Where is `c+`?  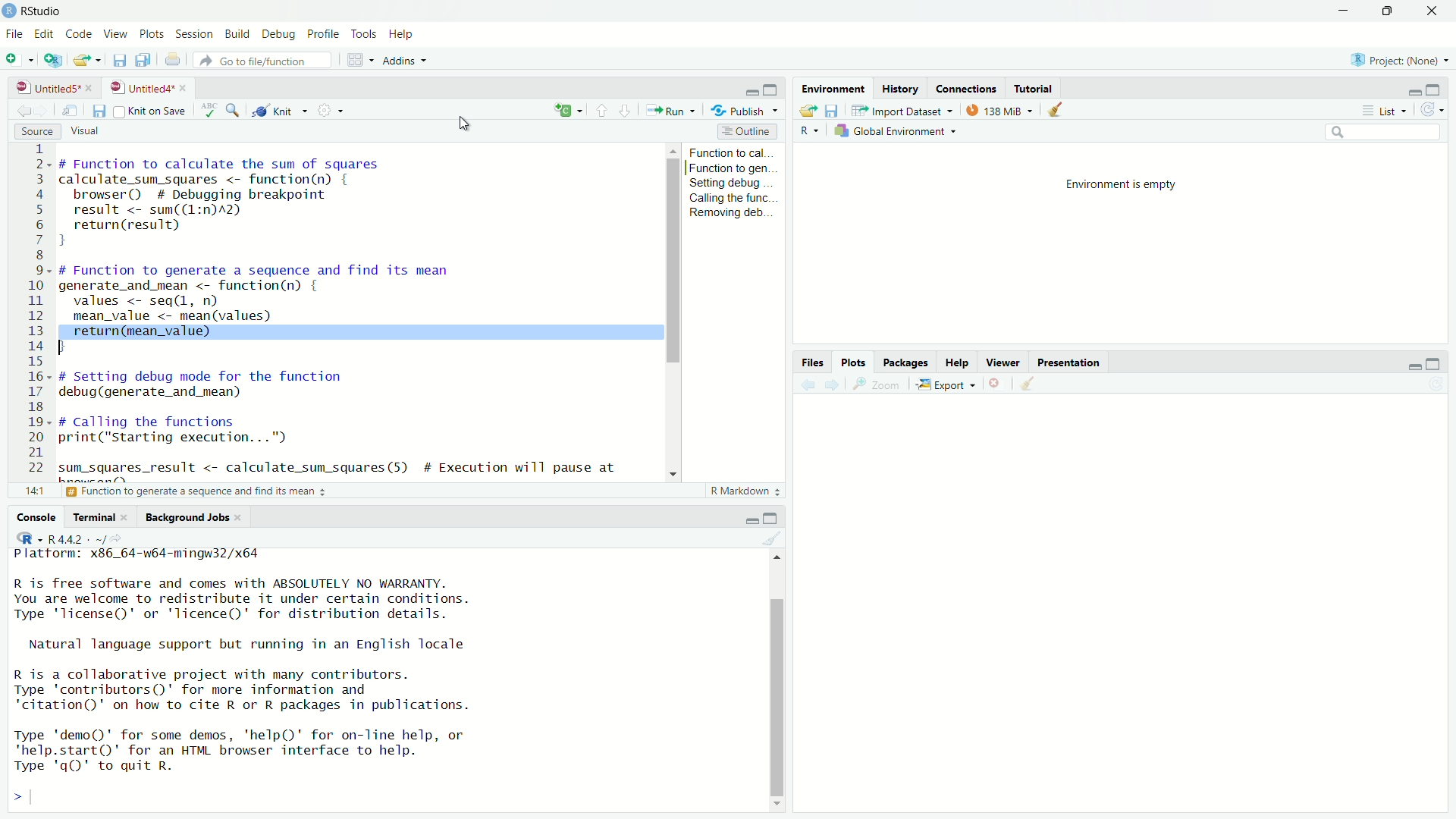 c+ is located at coordinates (567, 111).